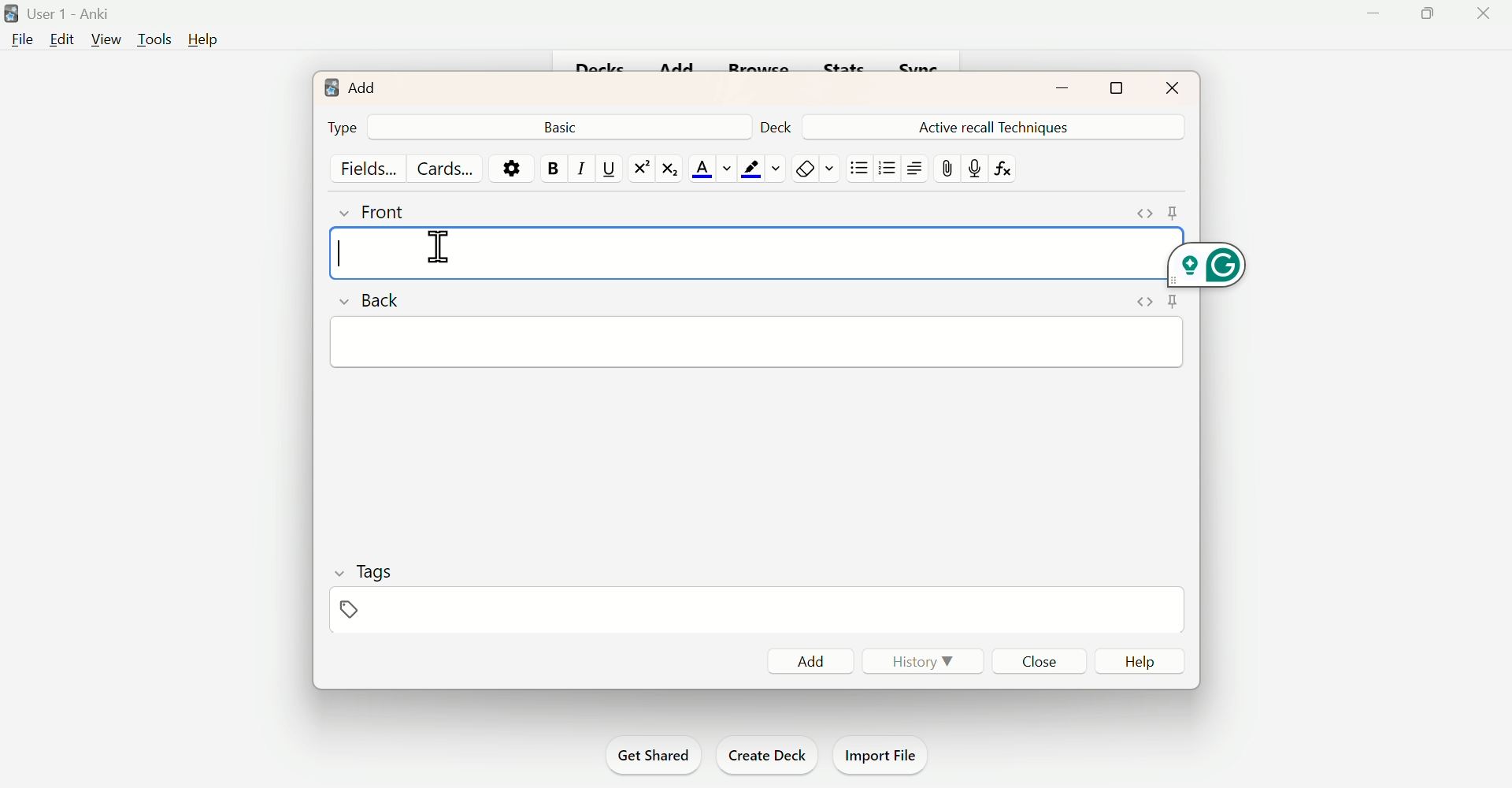 This screenshot has height=788, width=1512. What do you see at coordinates (759, 167) in the screenshot?
I see `Text Highlighting Color` at bounding box center [759, 167].